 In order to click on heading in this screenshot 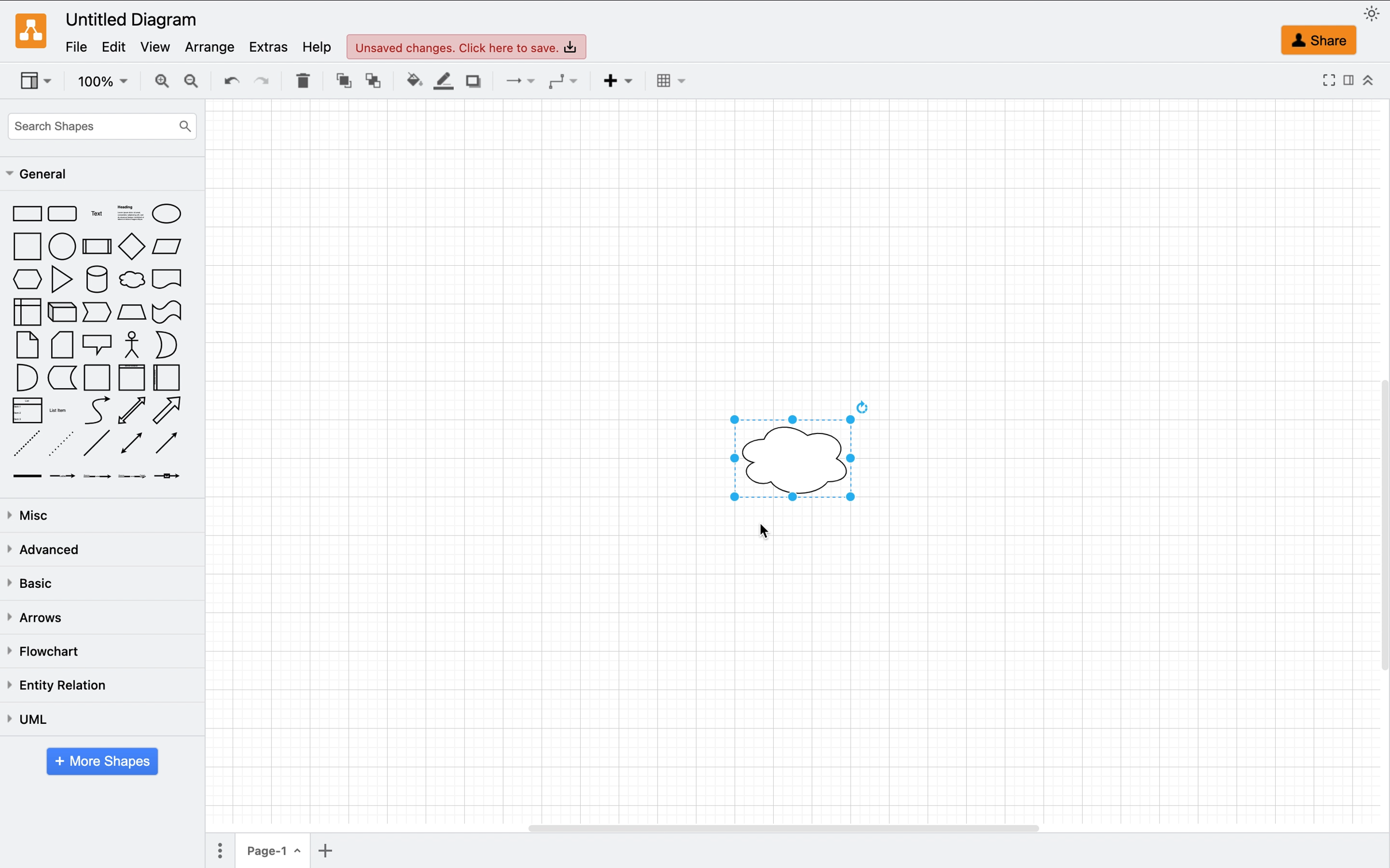, I will do `click(130, 214)`.